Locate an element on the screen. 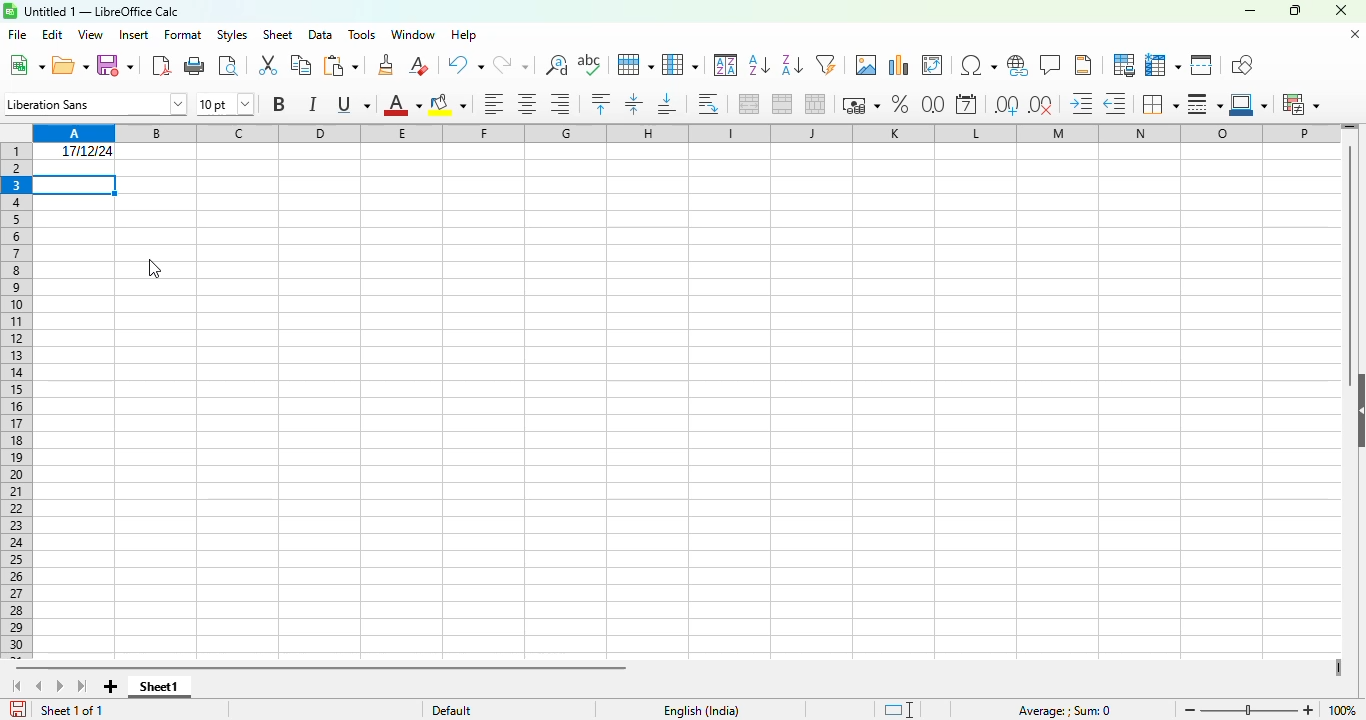 Image resolution: width=1366 pixels, height=720 pixels. clone formatting is located at coordinates (386, 65).